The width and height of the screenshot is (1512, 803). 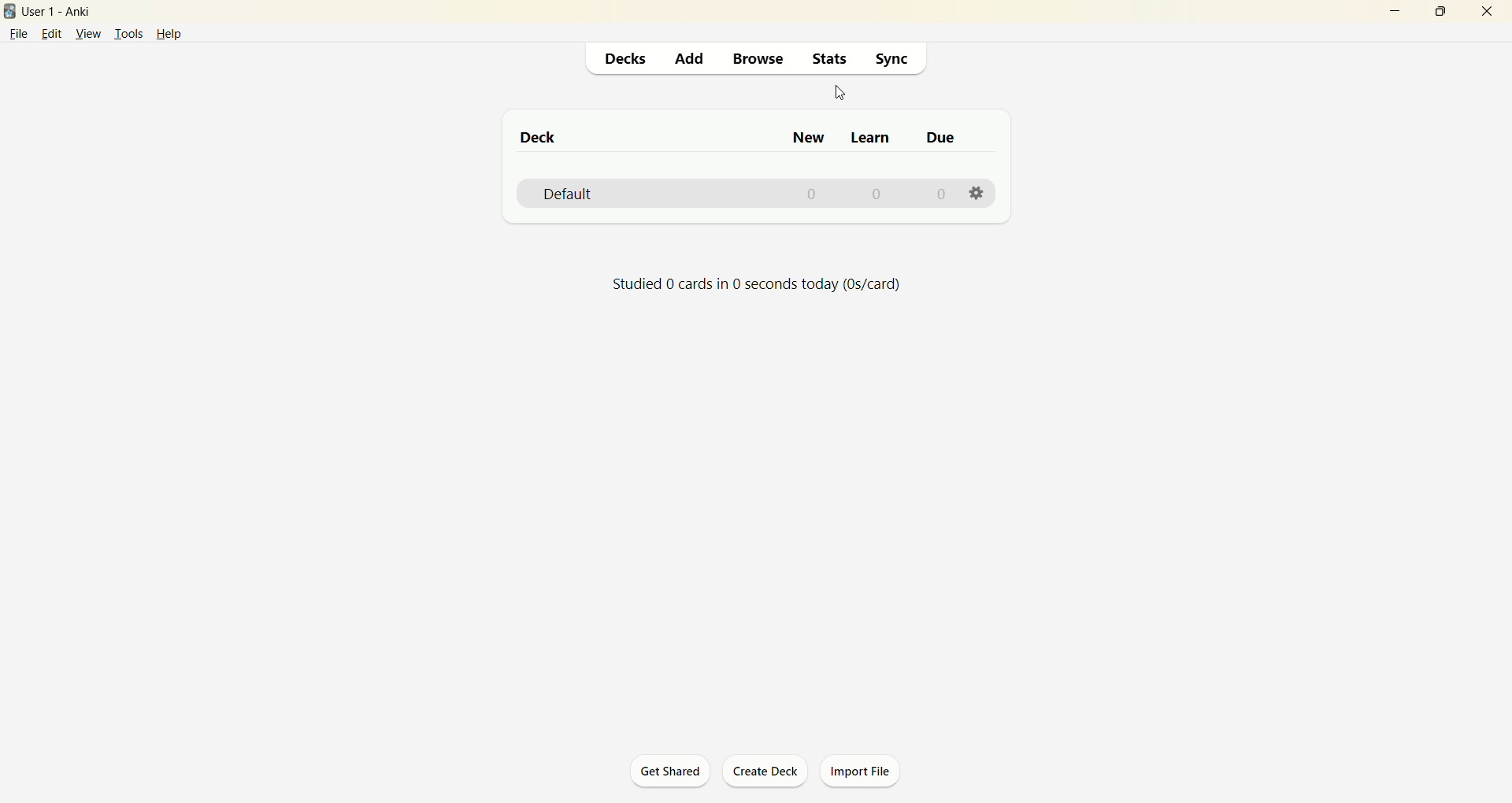 I want to click on minimize, so click(x=1388, y=13).